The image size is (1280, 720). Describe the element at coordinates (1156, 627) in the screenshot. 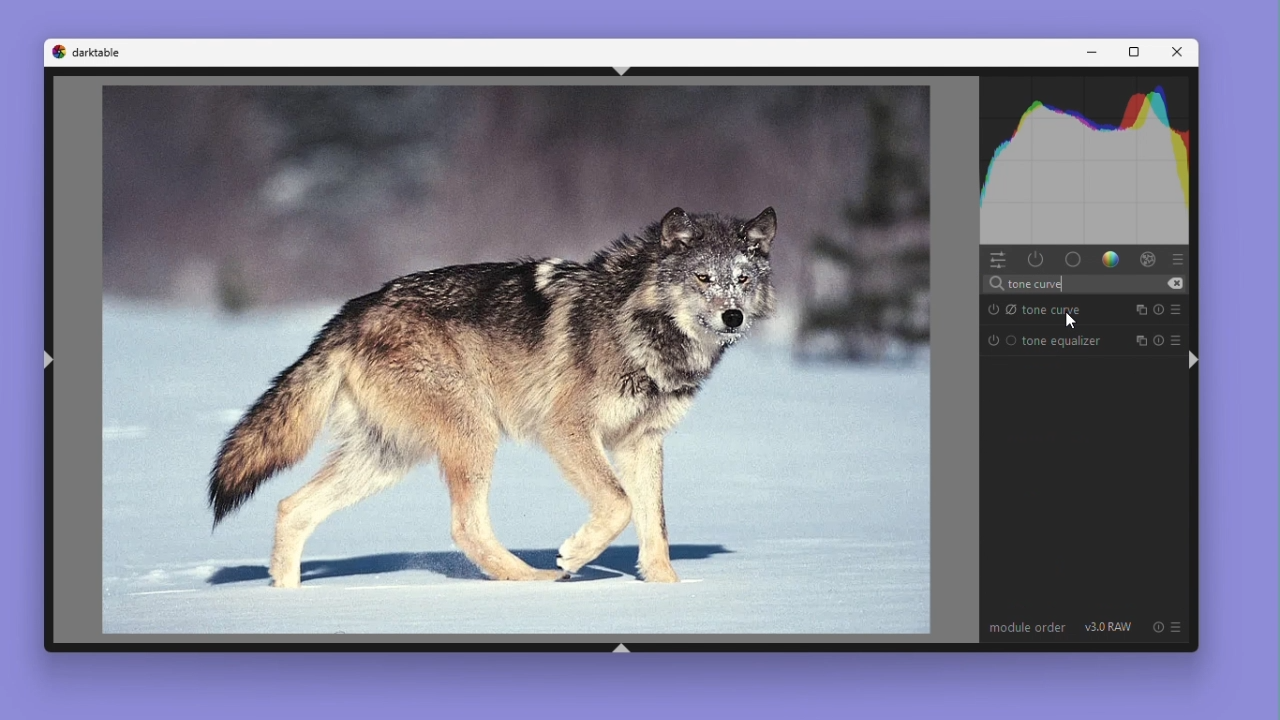

I see `Reset` at that location.